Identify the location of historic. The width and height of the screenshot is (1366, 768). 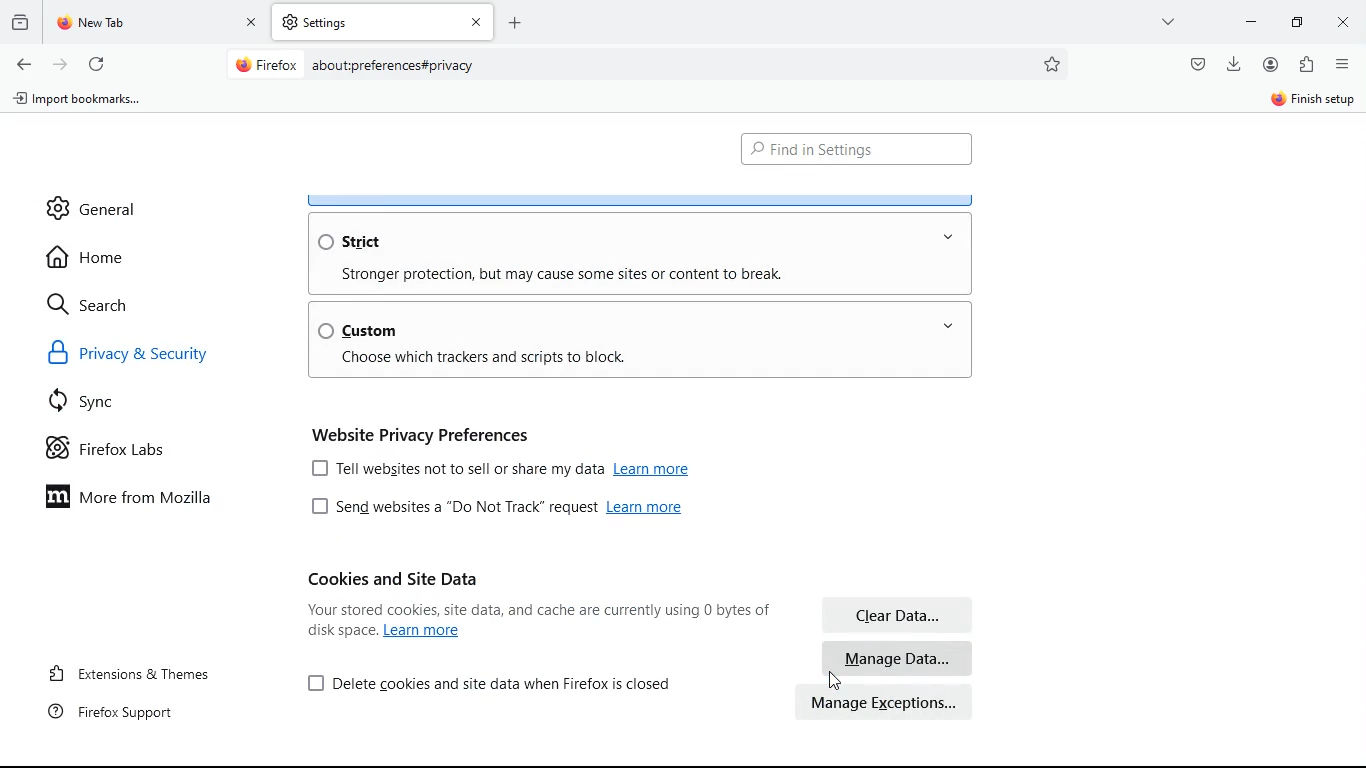
(23, 21).